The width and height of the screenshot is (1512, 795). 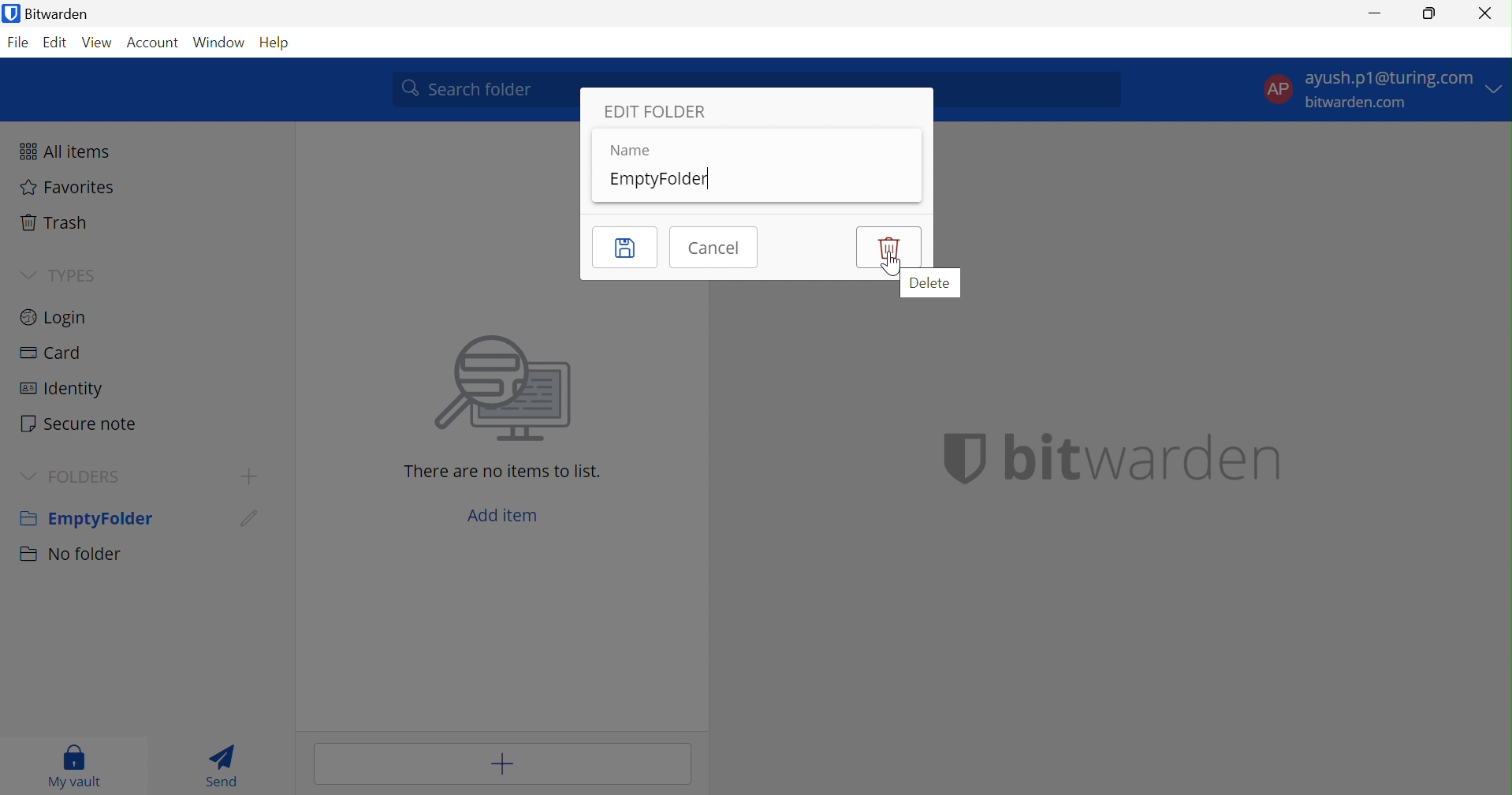 What do you see at coordinates (220, 43) in the screenshot?
I see `Window` at bounding box center [220, 43].